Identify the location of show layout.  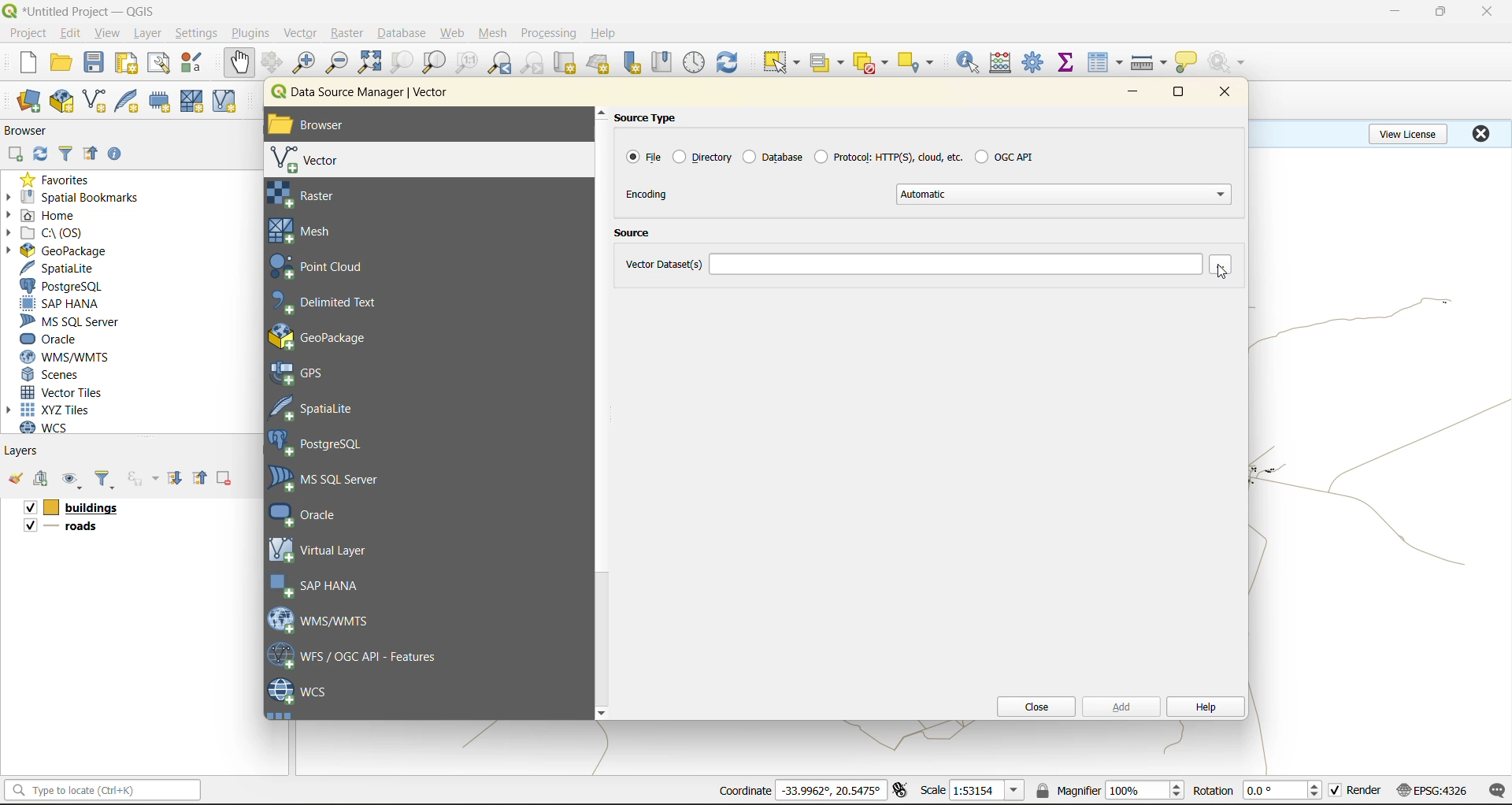
(159, 63).